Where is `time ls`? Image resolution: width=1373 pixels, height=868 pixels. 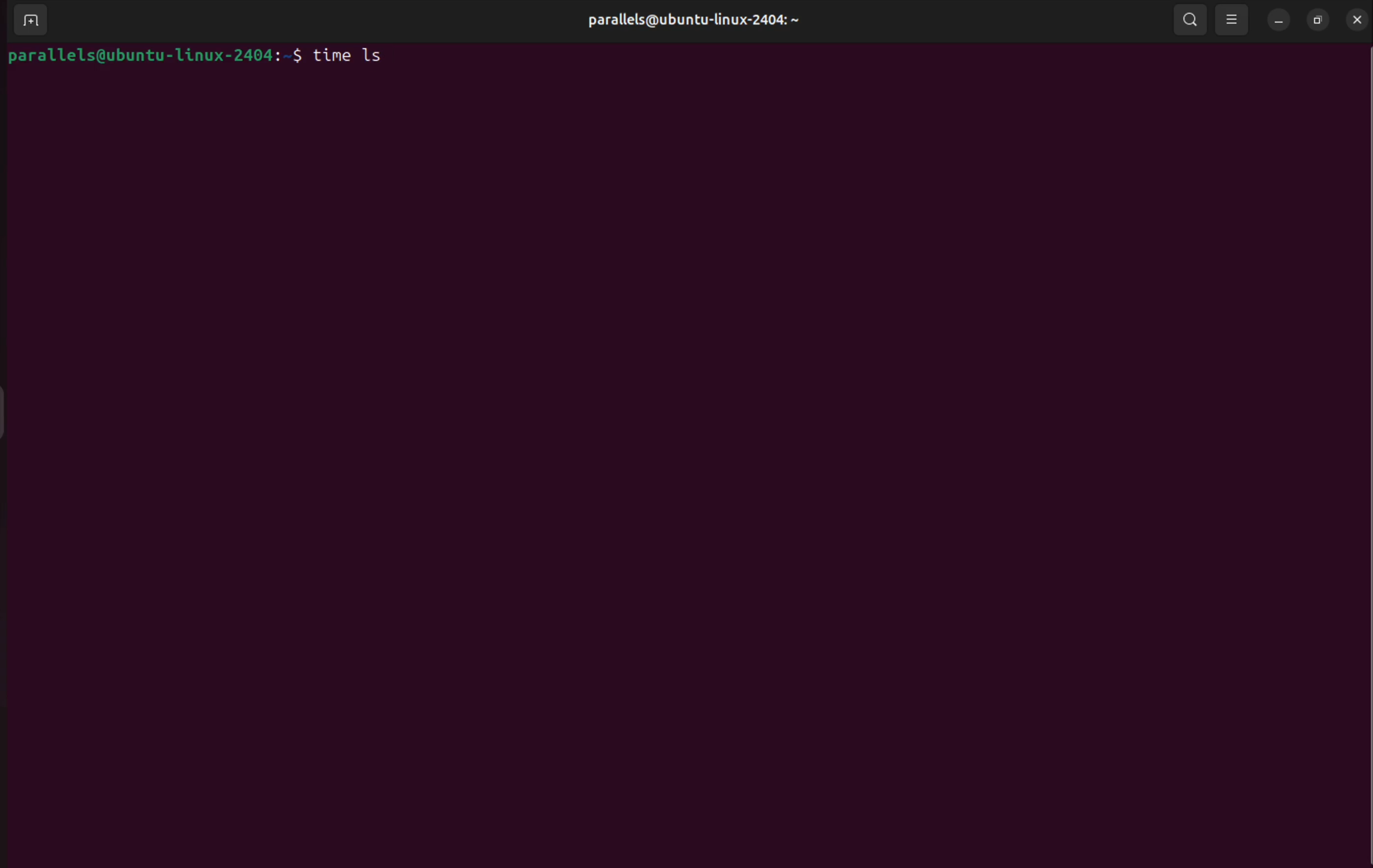 time ls is located at coordinates (352, 52).